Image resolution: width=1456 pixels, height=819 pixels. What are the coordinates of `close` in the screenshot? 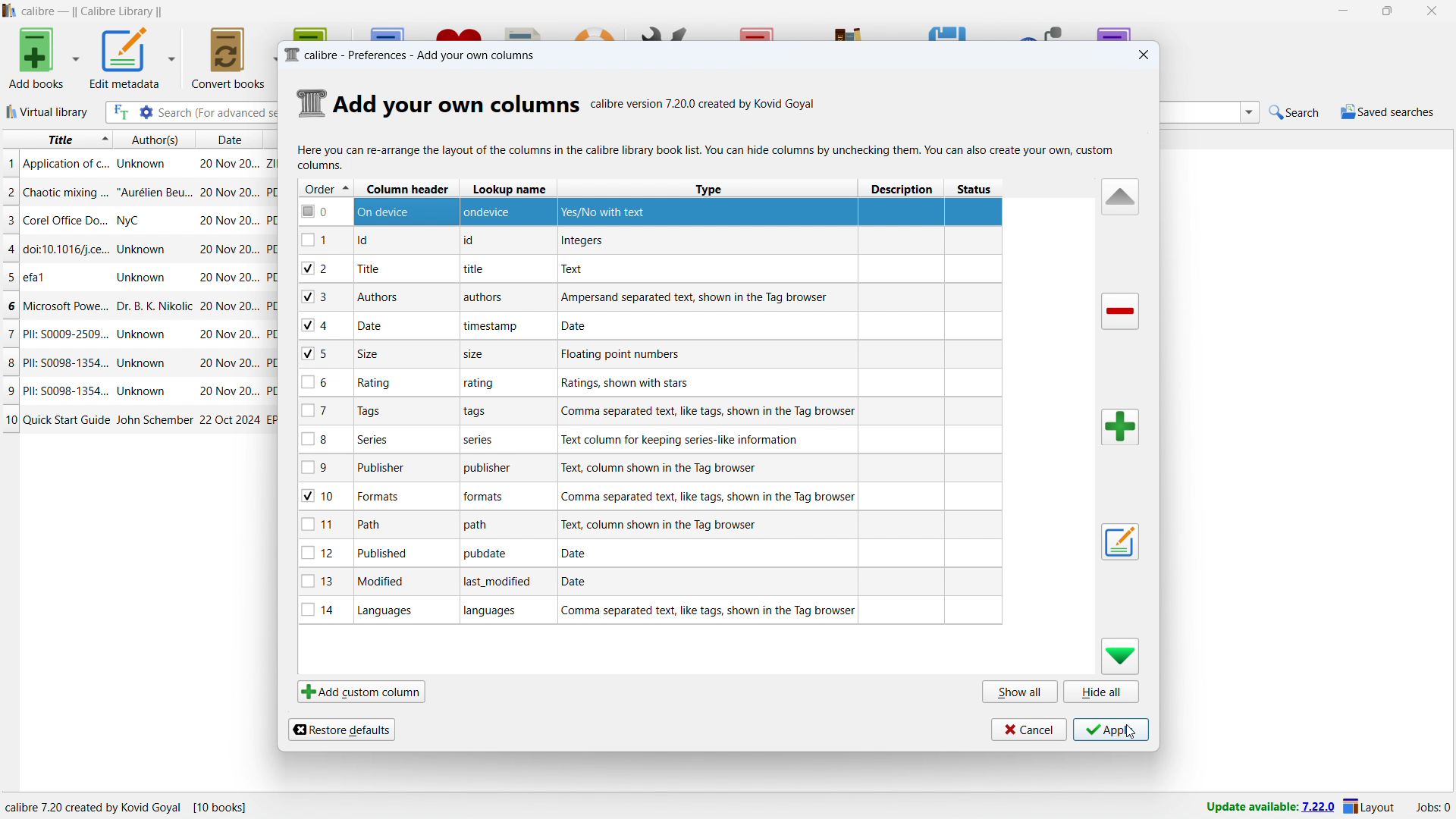 It's located at (1142, 55).